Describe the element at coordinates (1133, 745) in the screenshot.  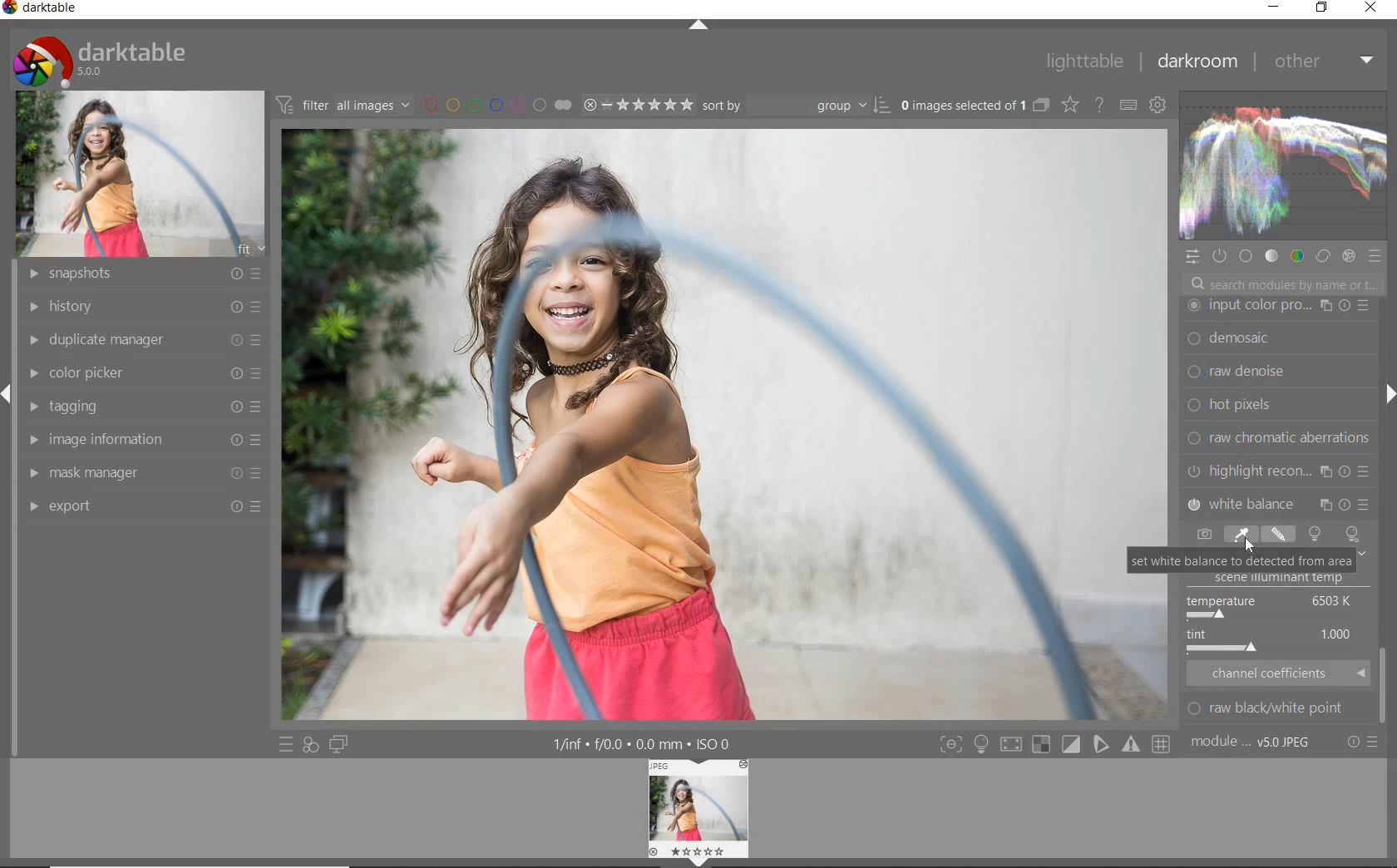
I see `toggle mode ` at that location.